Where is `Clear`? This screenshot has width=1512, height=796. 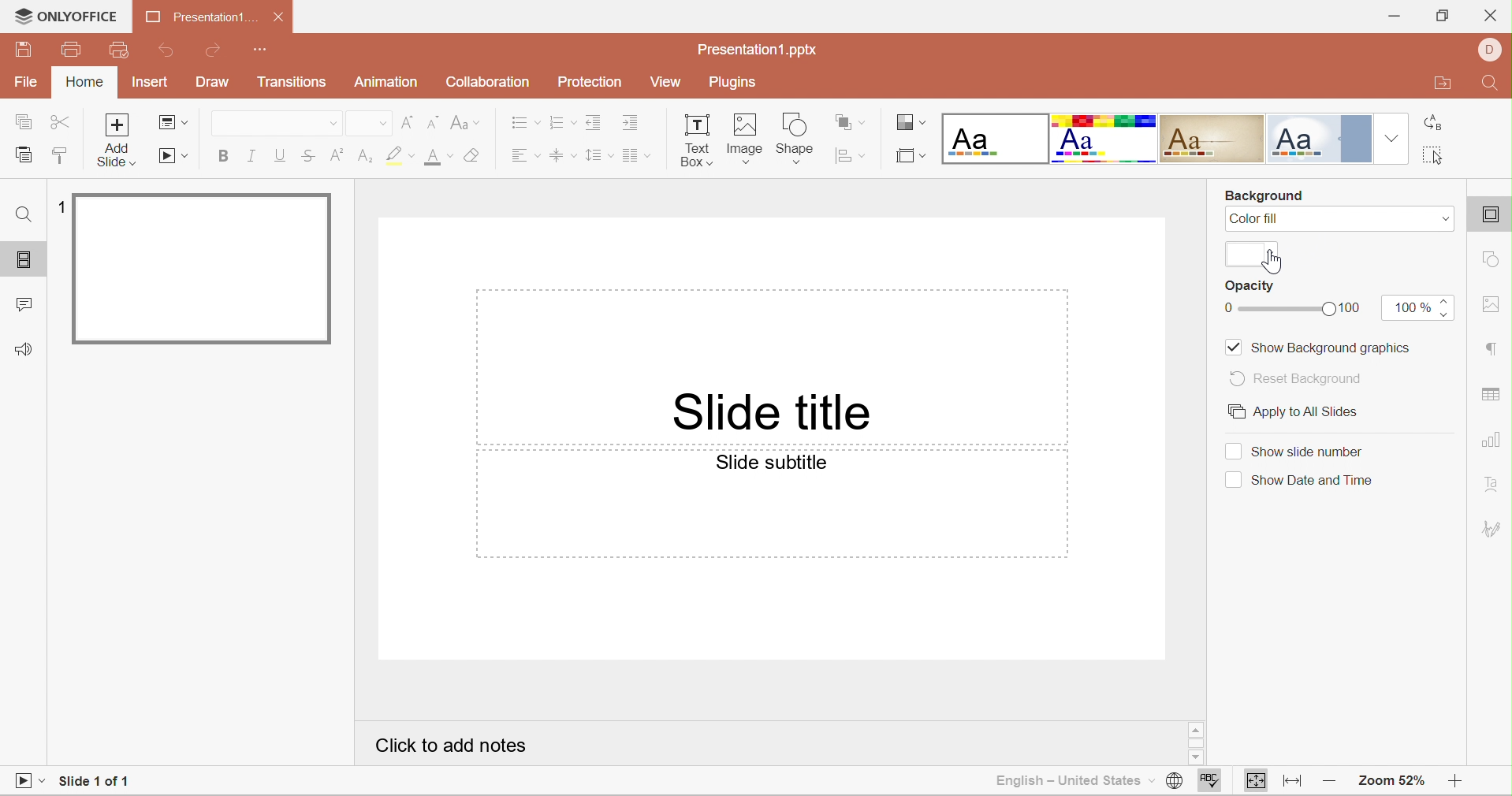 Clear is located at coordinates (473, 157).